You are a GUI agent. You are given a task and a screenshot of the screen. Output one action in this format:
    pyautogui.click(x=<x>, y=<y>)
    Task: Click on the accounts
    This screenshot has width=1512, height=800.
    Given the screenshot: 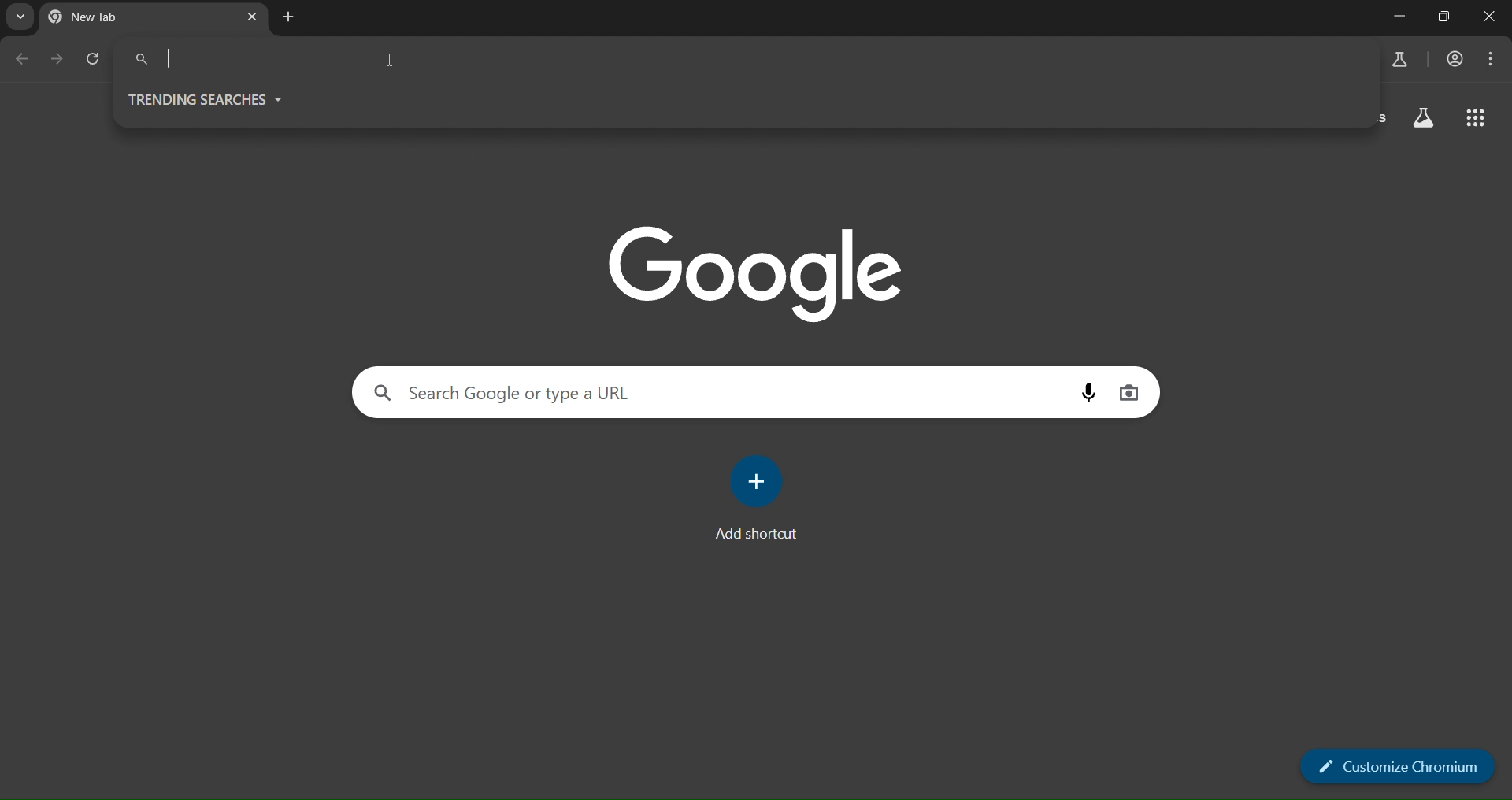 What is the action you would take?
    pyautogui.click(x=1458, y=59)
    